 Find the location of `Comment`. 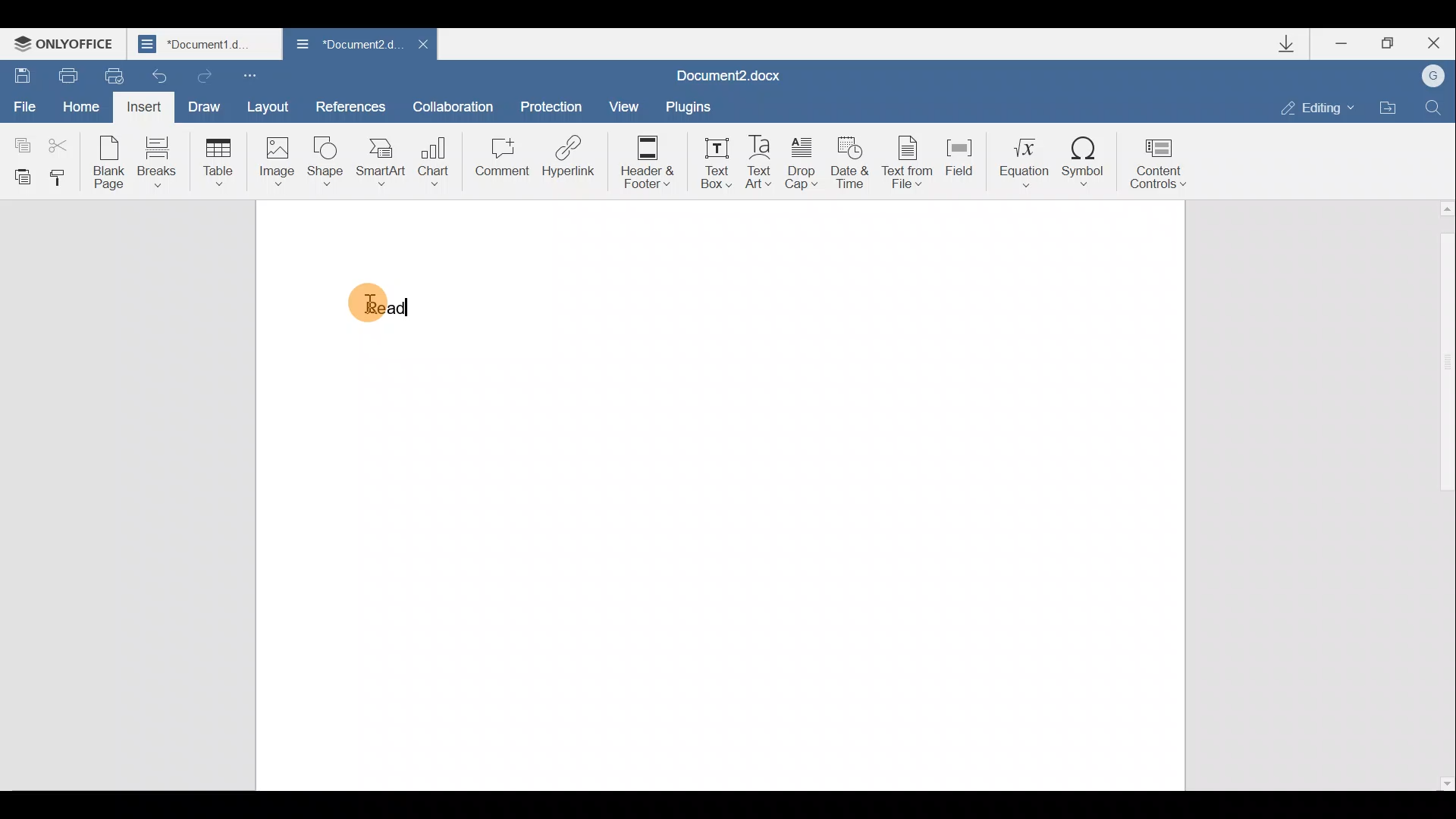

Comment is located at coordinates (501, 159).